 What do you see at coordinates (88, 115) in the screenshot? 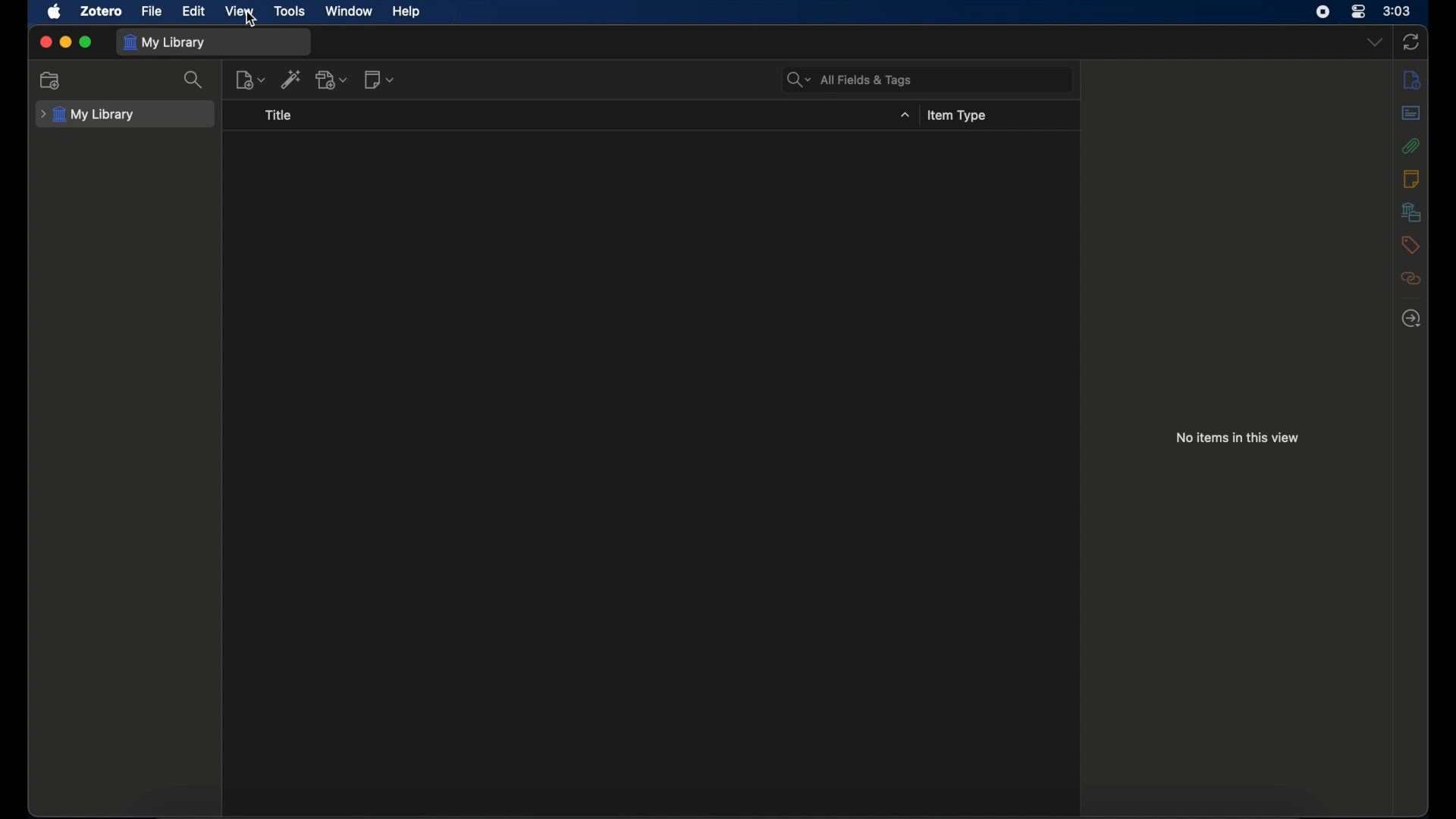
I see `my library` at bounding box center [88, 115].